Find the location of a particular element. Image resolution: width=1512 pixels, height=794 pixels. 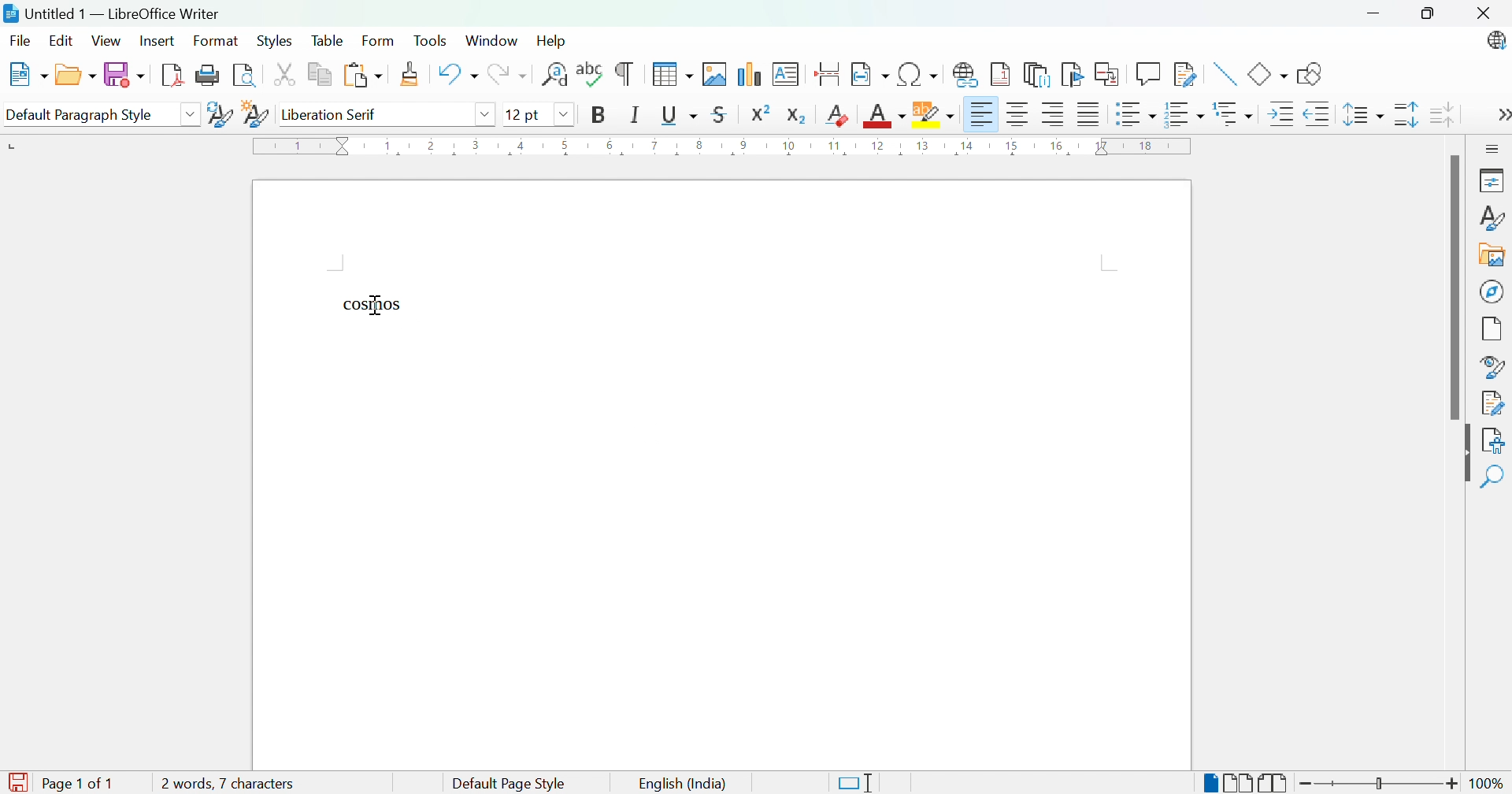

Align left is located at coordinates (982, 115).